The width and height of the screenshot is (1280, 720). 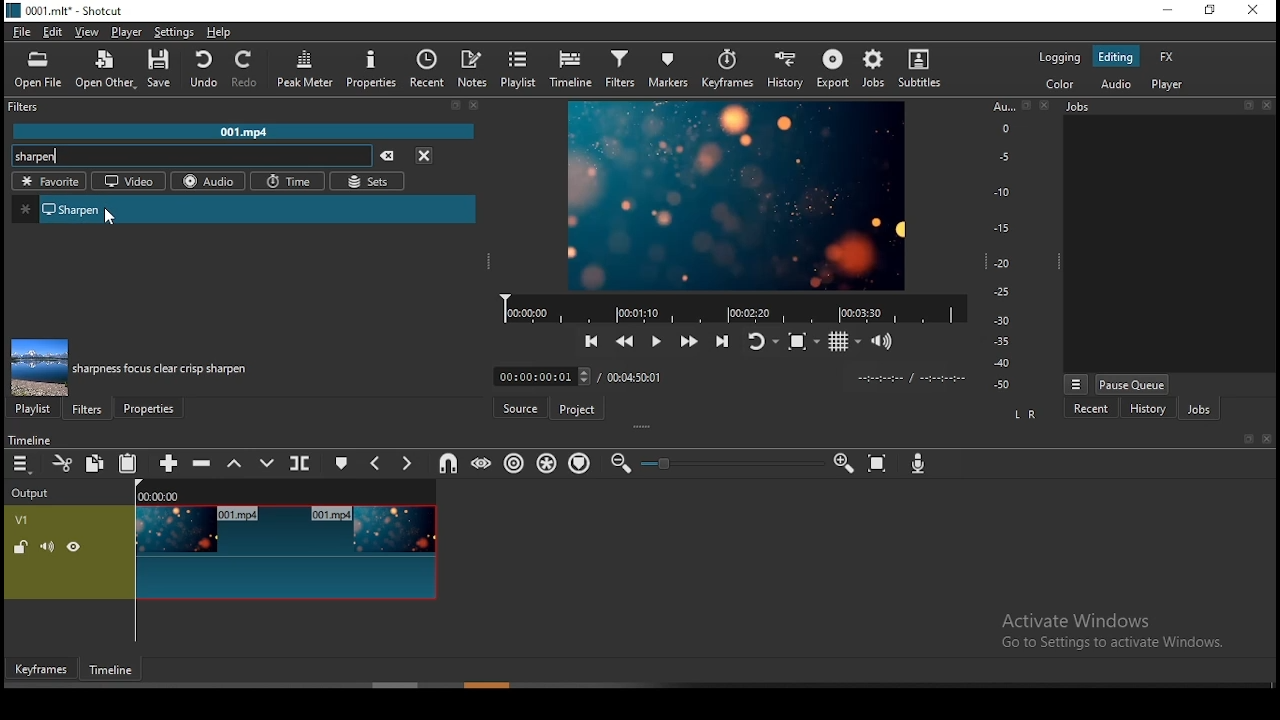 What do you see at coordinates (173, 33) in the screenshot?
I see `settings` at bounding box center [173, 33].